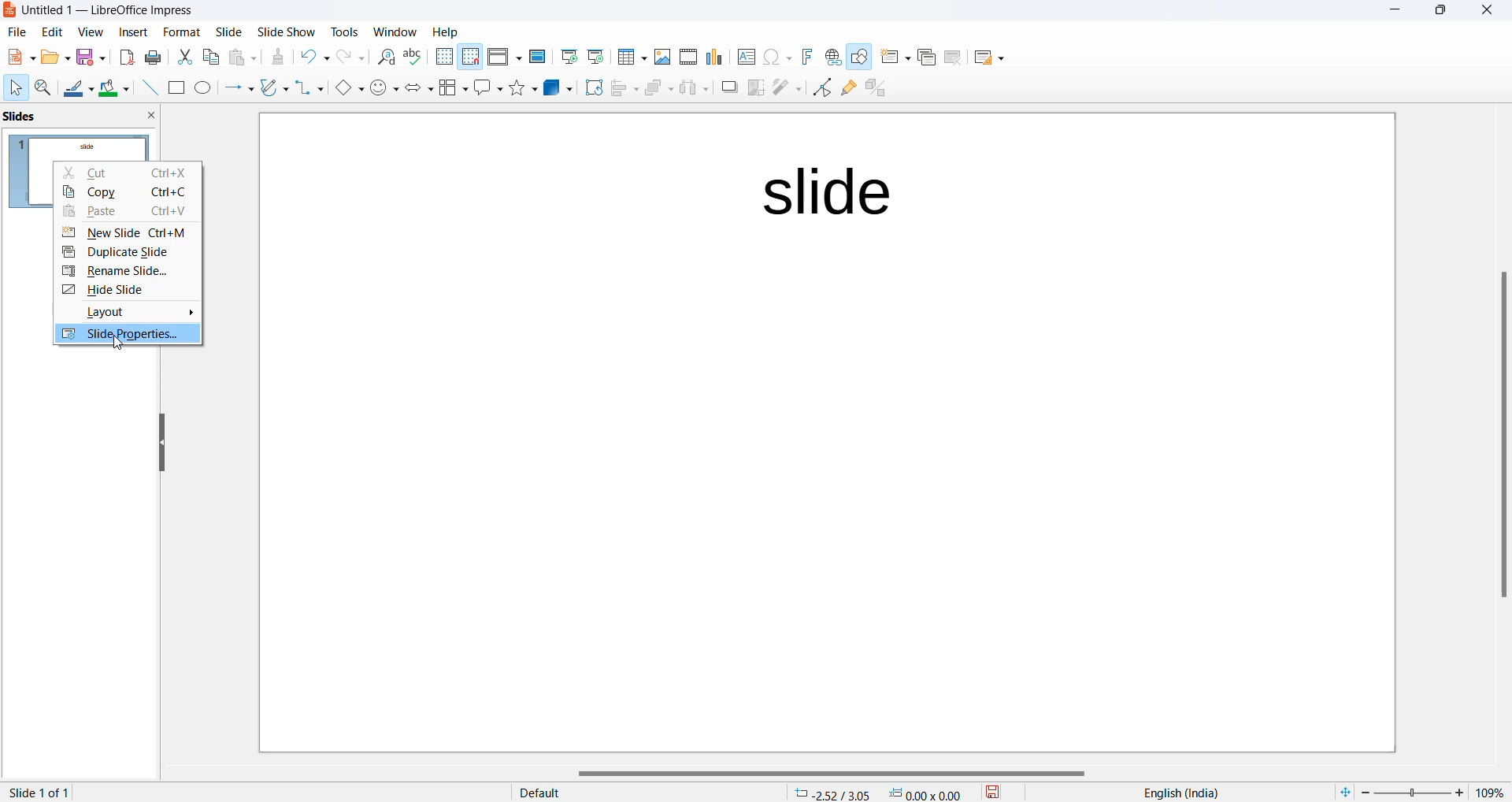 The image size is (1512, 802). I want to click on insert special characters, so click(777, 58).